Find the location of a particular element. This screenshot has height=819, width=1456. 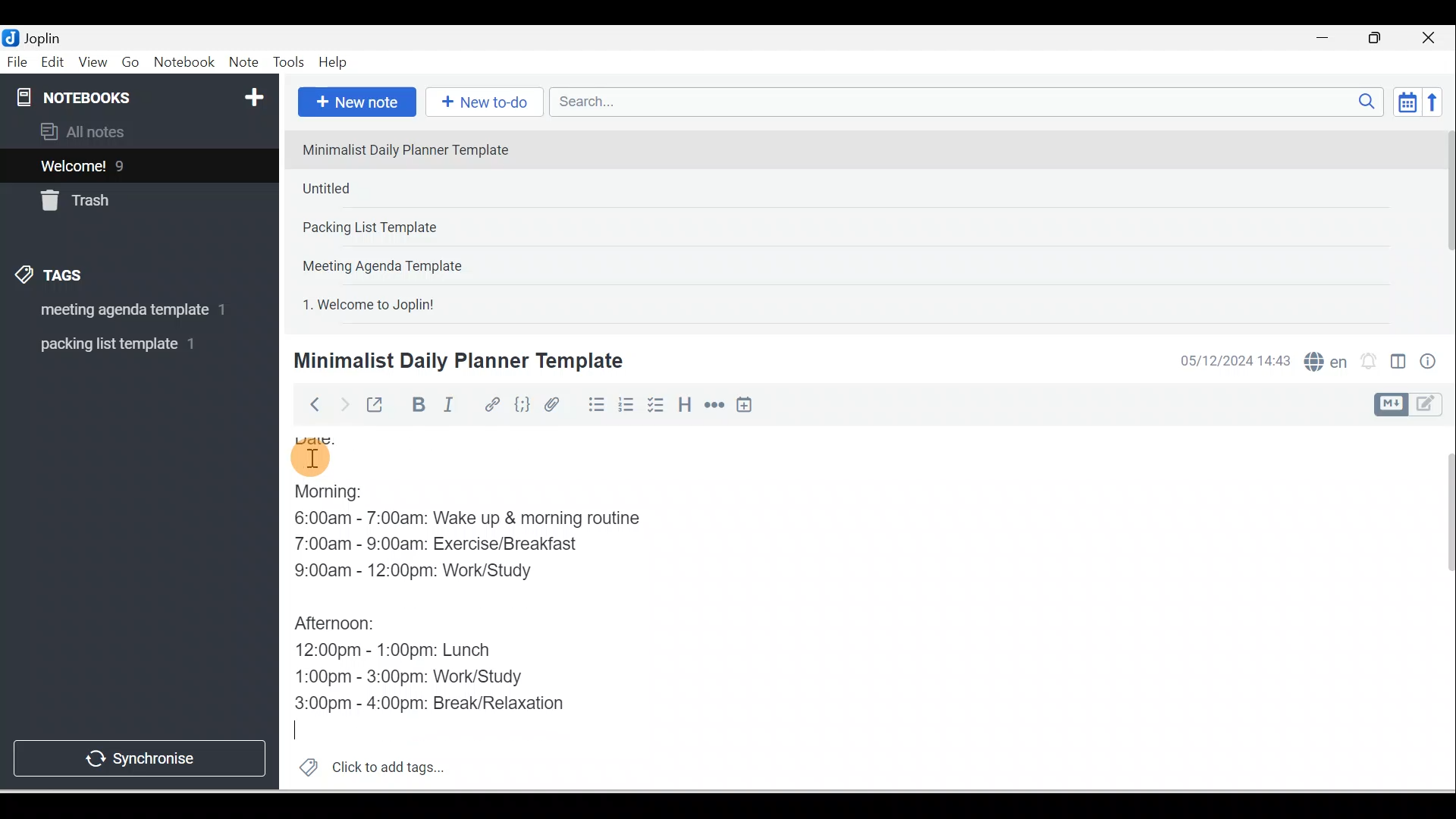

Cursor is located at coordinates (311, 455).